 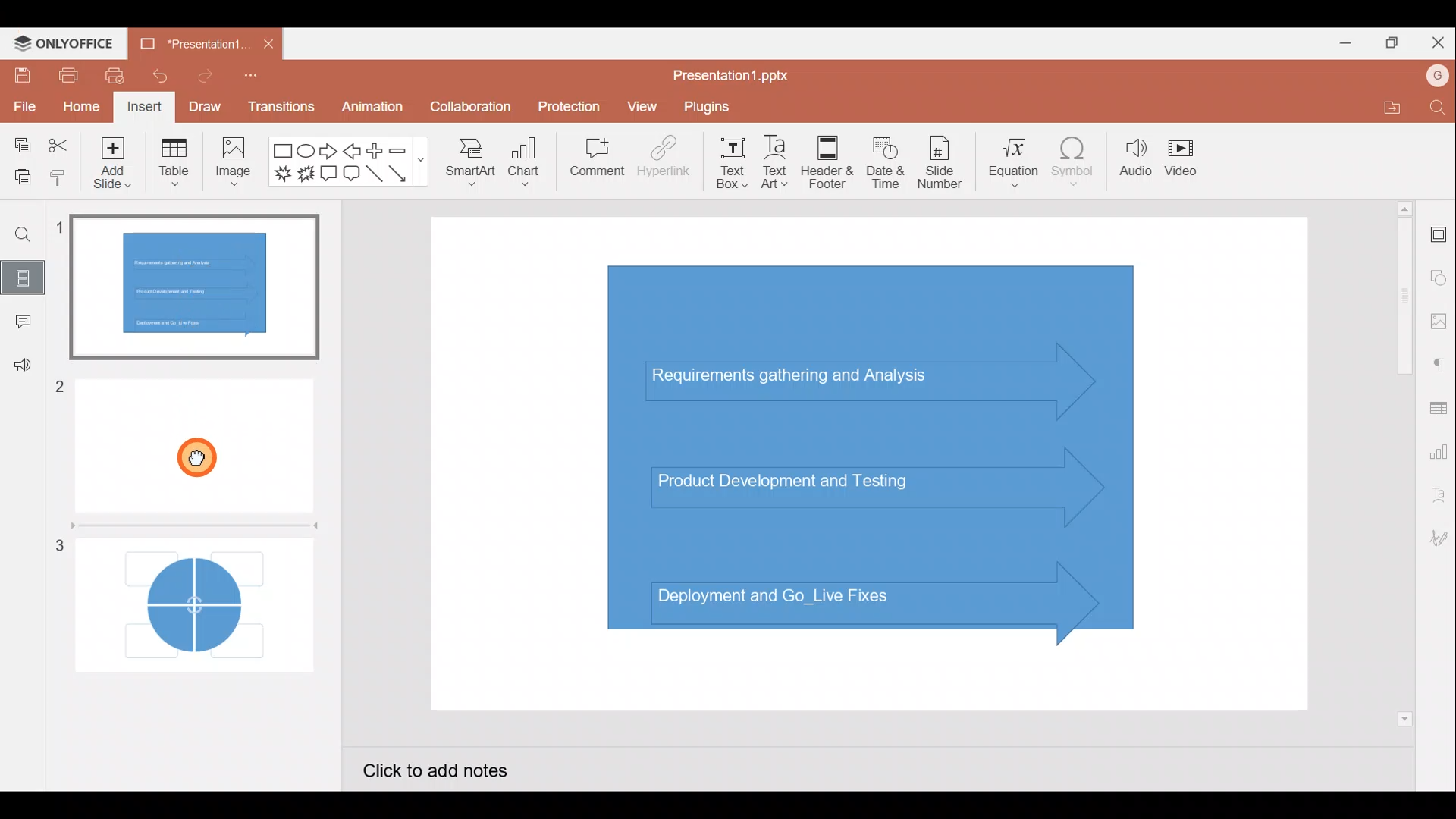 I want to click on Shape settings, so click(x=1439, y=272).